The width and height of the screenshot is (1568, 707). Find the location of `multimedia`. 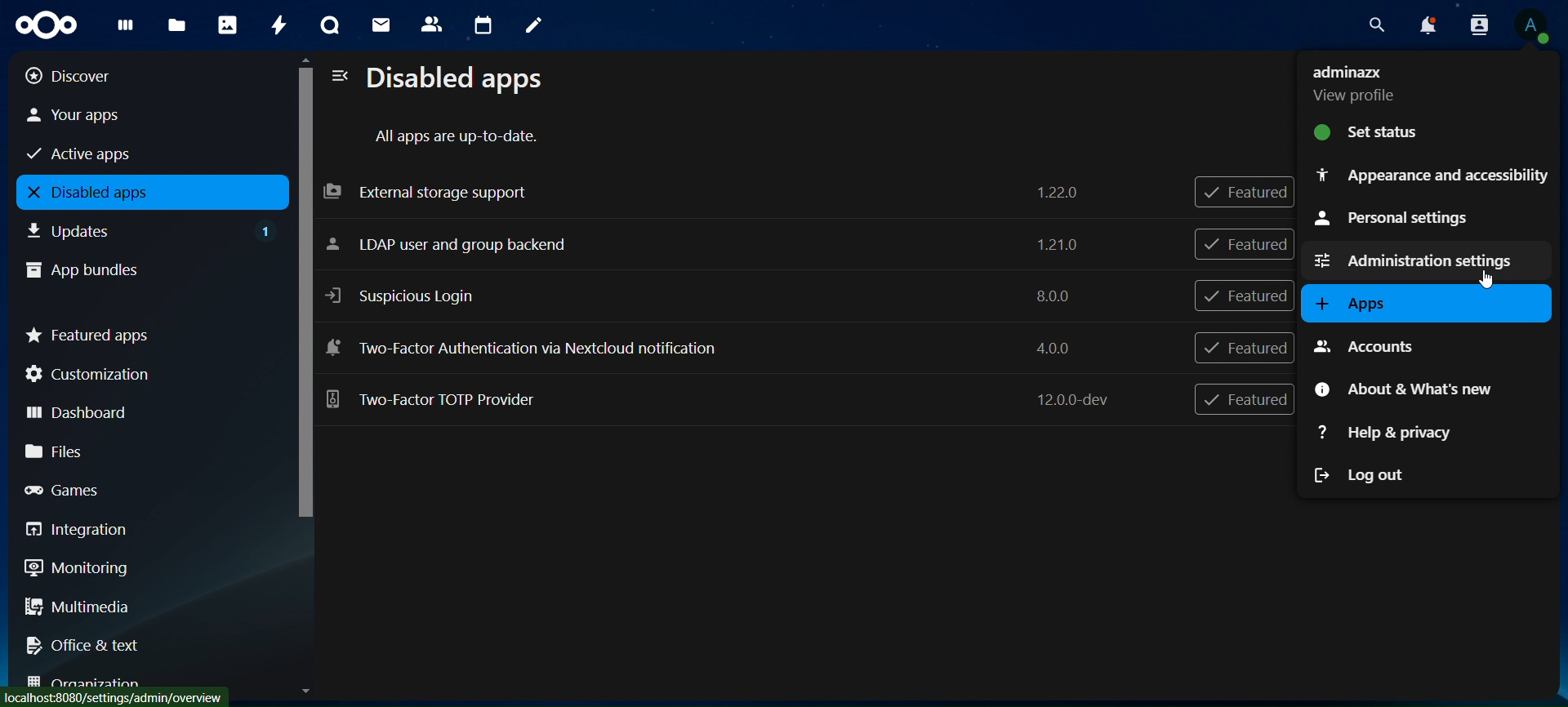

multimedia is located at coordinates (145, 610).